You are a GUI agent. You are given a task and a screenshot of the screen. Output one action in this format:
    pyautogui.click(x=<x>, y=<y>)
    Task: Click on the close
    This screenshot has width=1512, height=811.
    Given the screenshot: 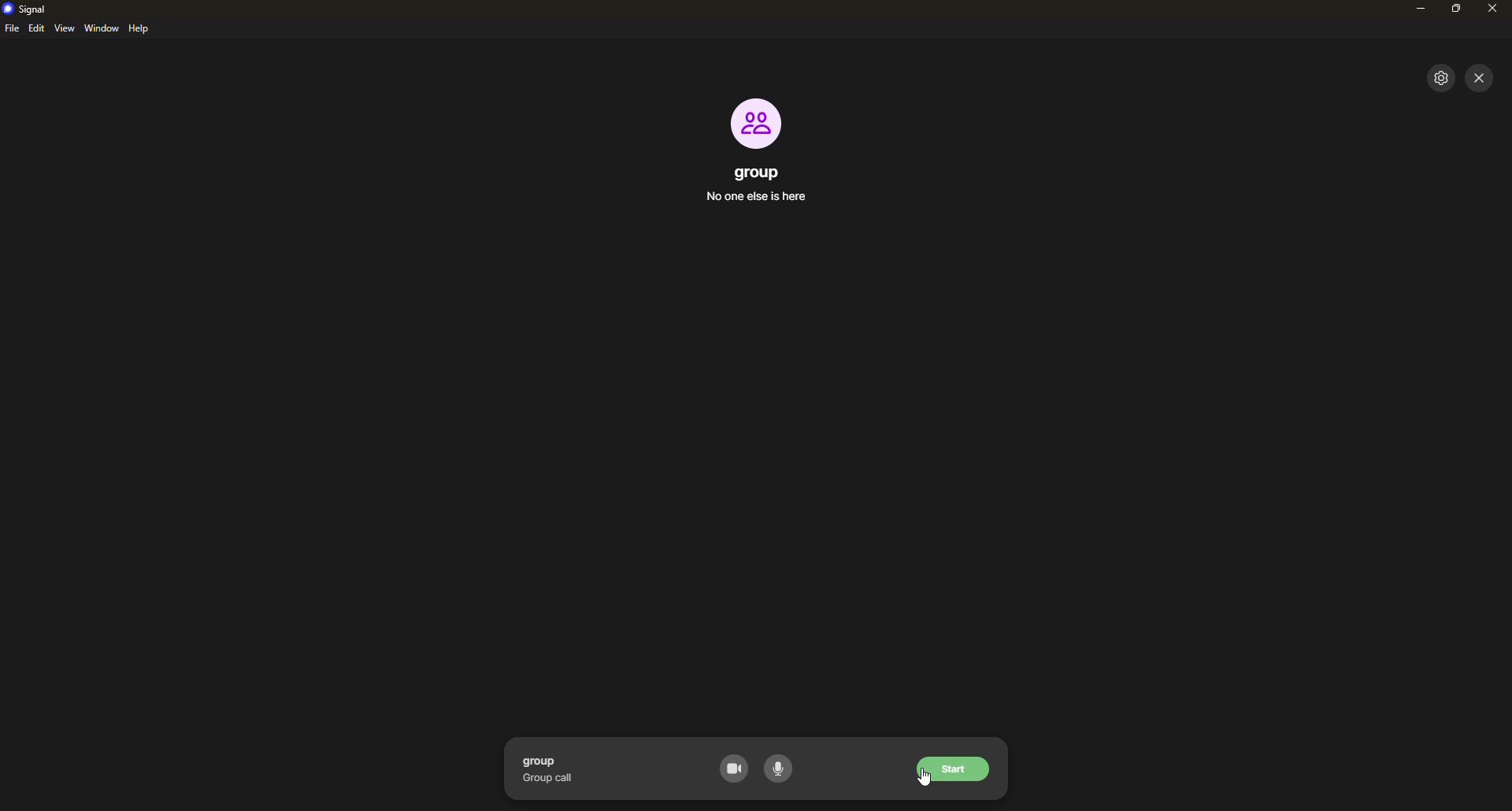 What is the action you would take?
    pyautogui.click(x=1492, y=10)
    